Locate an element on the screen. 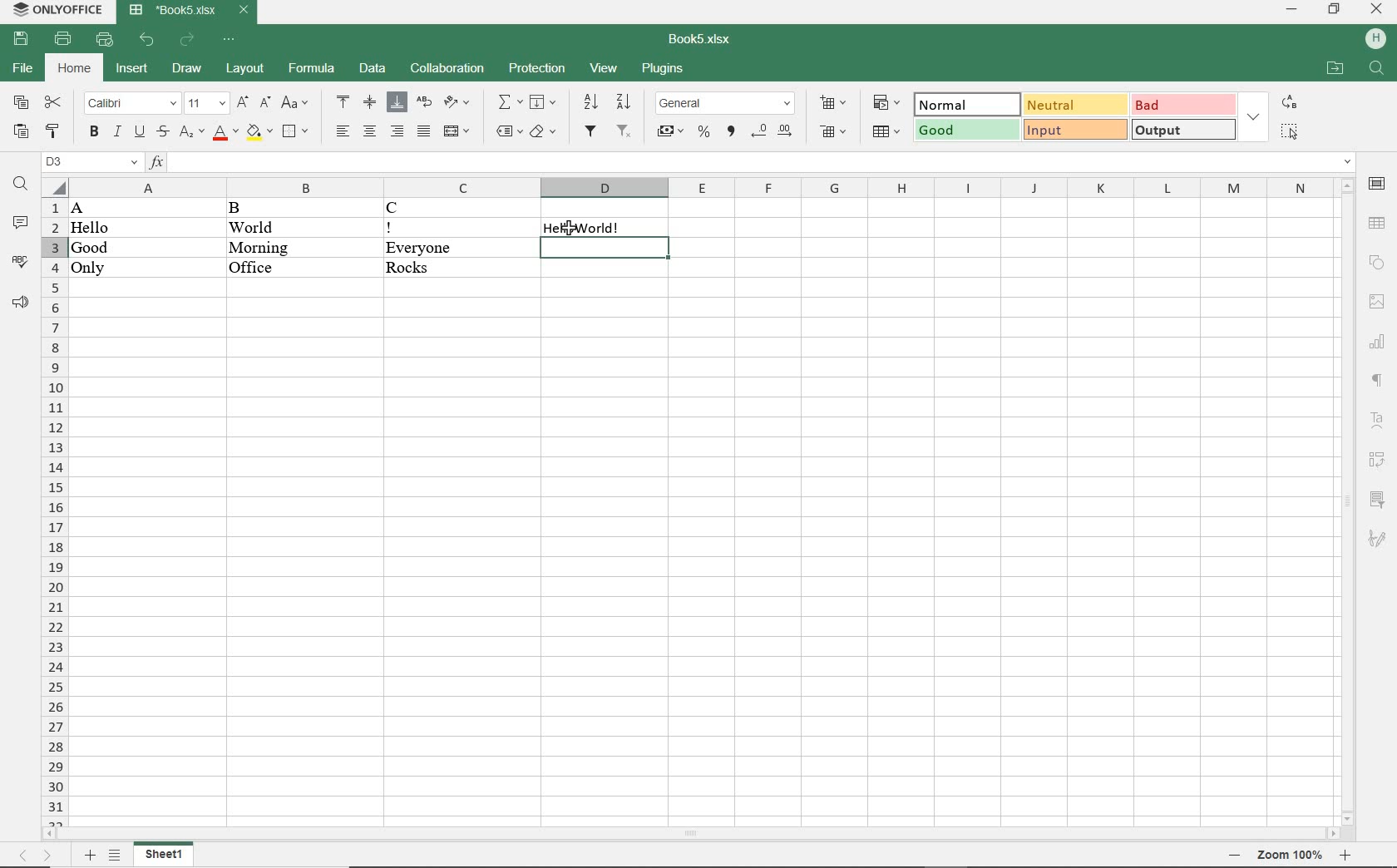  PLUGINS is located at coordinates (662, 70).